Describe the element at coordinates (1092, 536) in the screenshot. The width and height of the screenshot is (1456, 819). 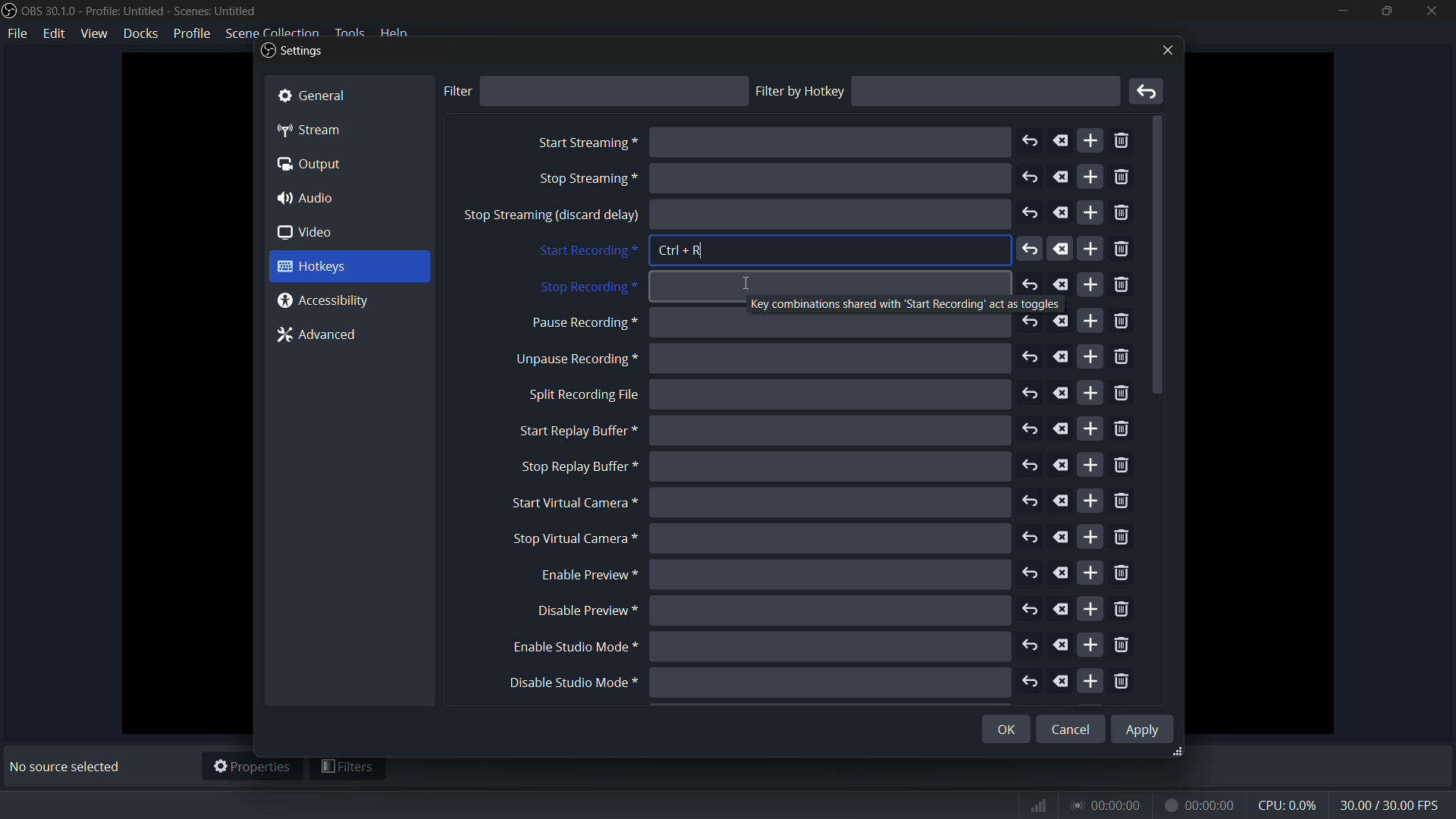
I see `add more` at that location.